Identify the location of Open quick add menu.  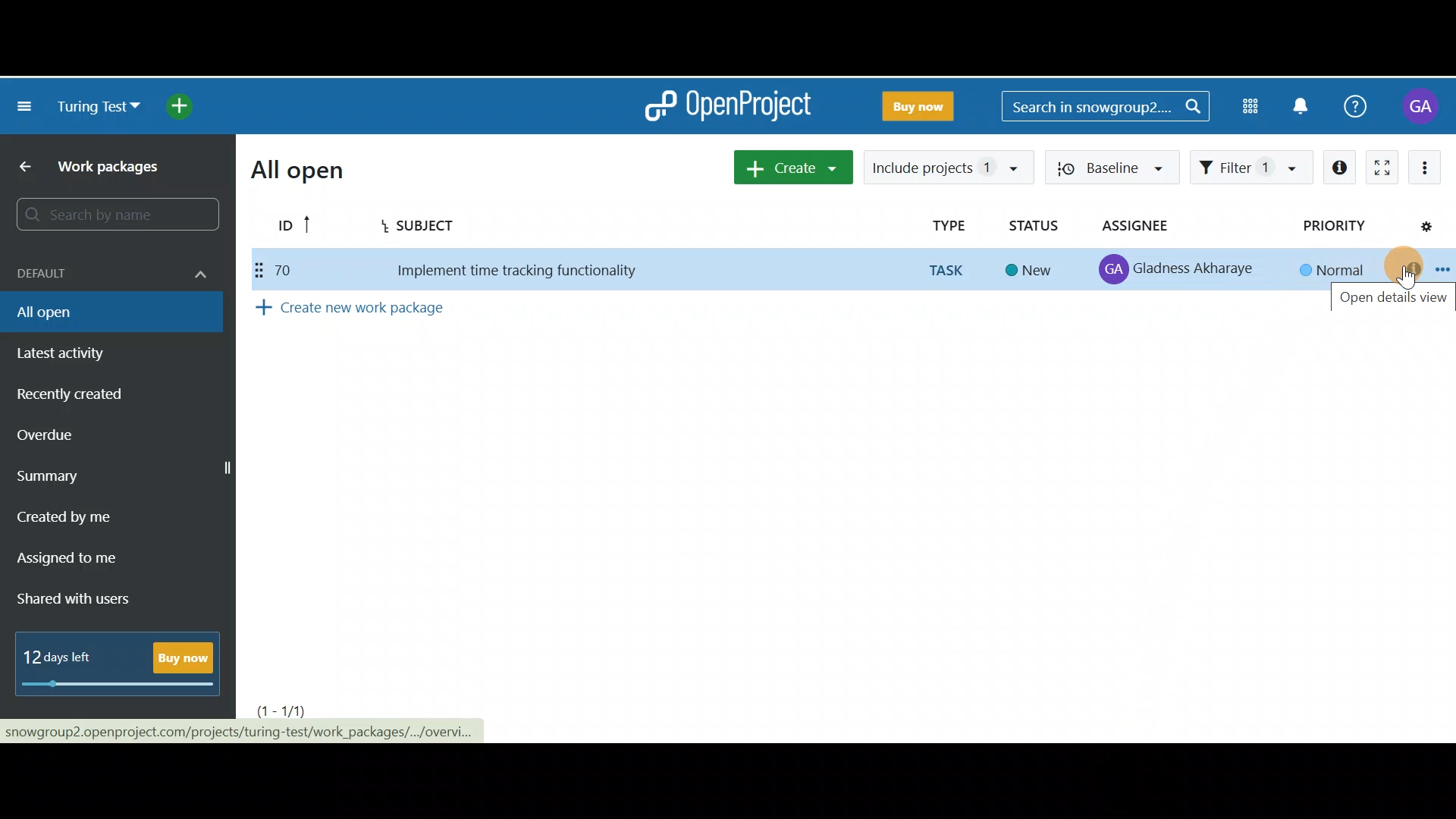
(187, 106).